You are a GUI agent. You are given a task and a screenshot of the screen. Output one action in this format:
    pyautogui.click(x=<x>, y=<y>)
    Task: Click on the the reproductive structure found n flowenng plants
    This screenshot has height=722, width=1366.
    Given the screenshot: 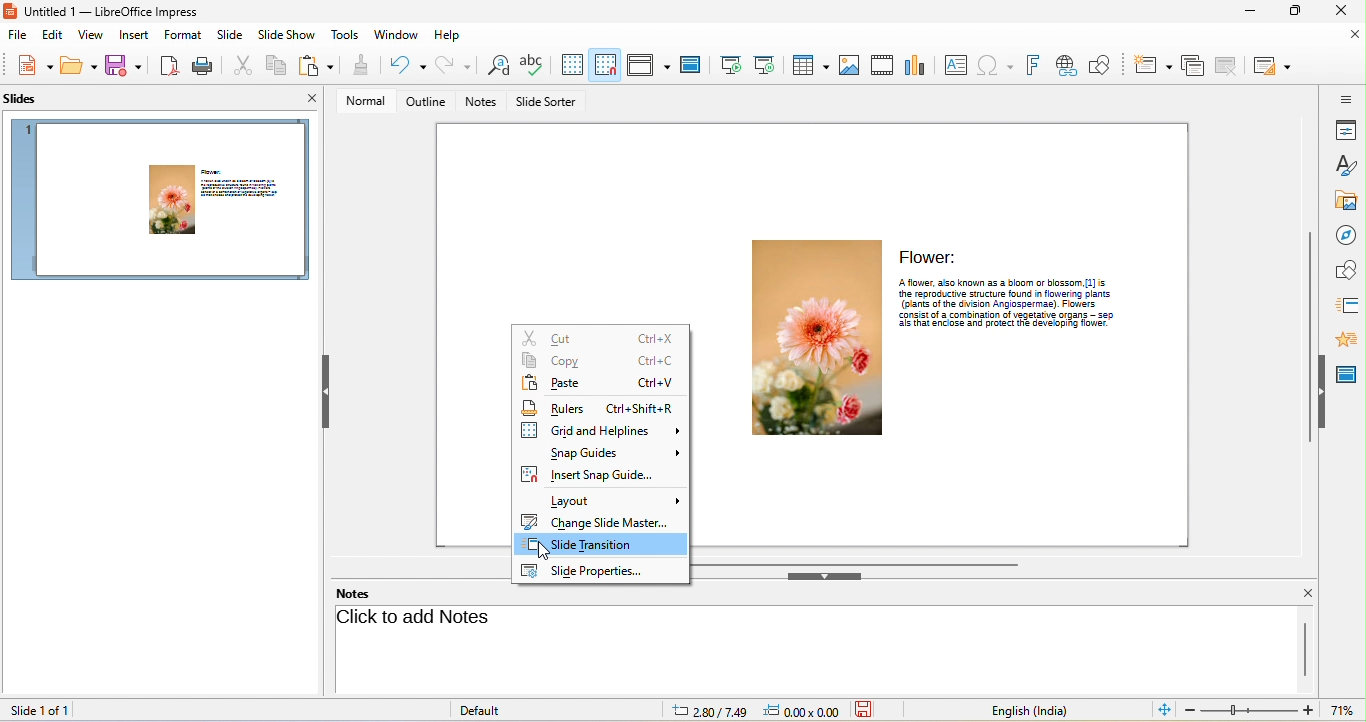 What is the action you would take?
    pyautogui.click(x=1001, y=293)
    